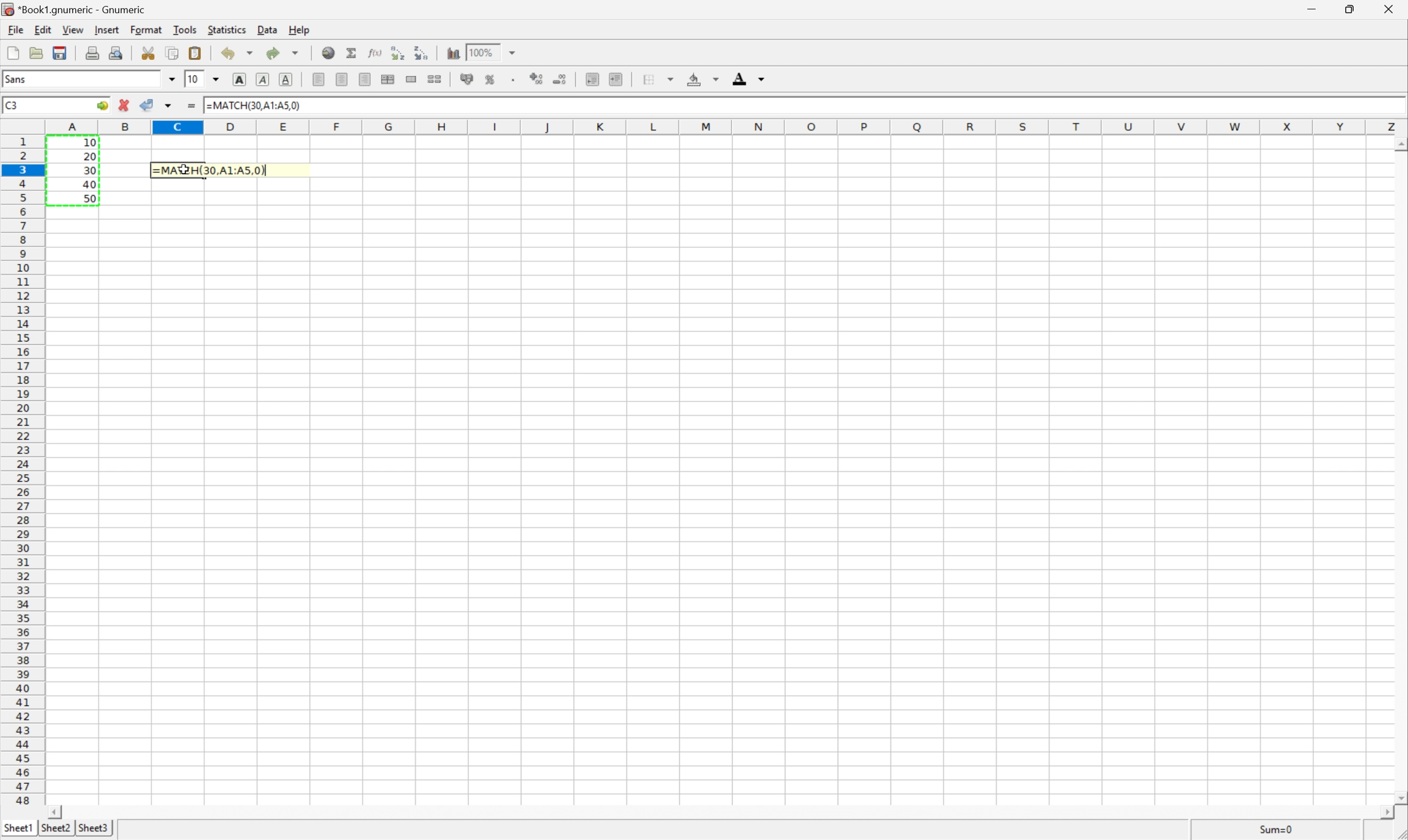 Image resolution: width=1408 pixels, height=840 pixels. What do you see at coordinates (89, 143) in the screenshot?
I see `10` at bounding box center [89, 143].